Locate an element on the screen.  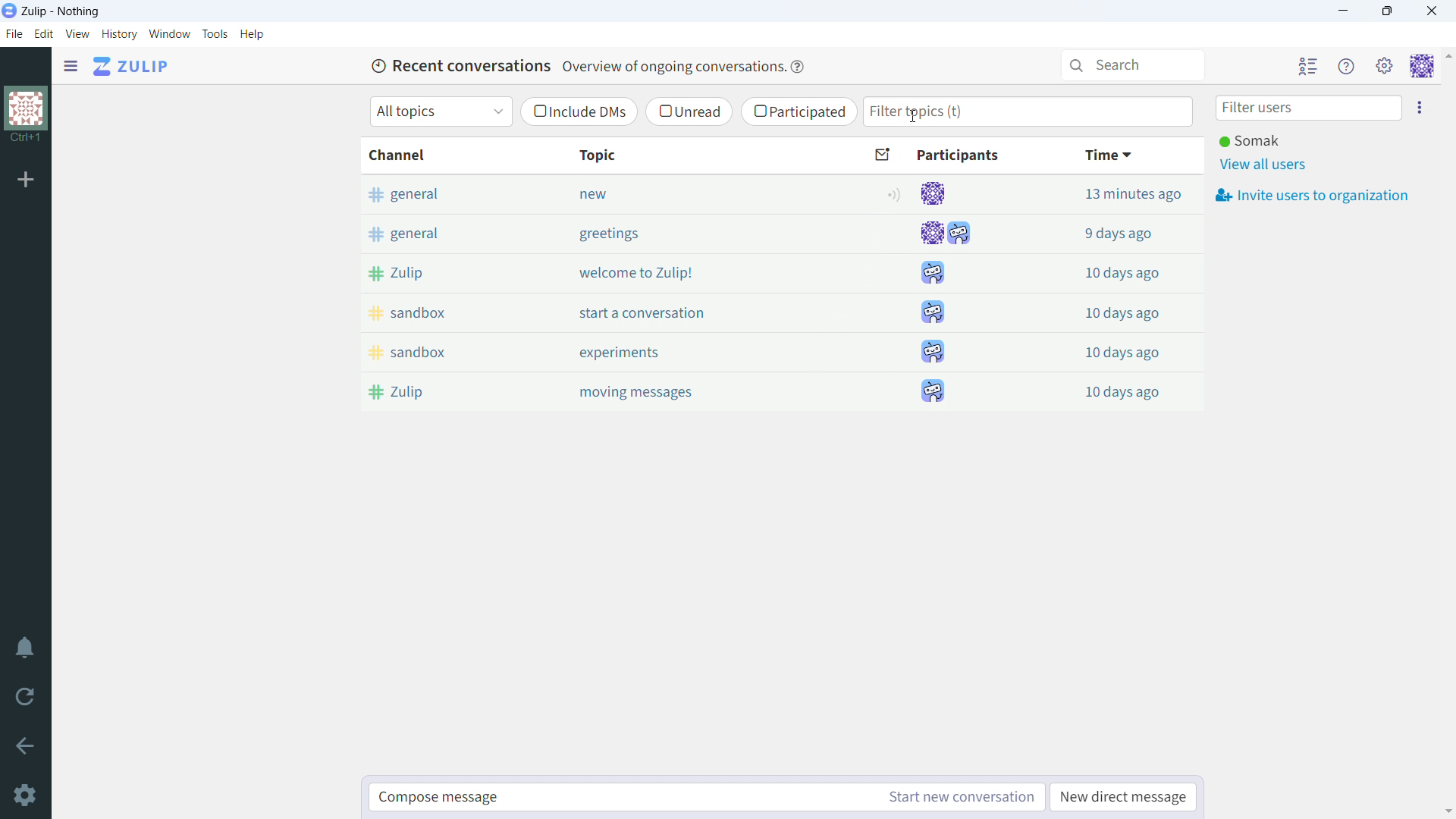
filter topics is located at coordinates (1030, 112).